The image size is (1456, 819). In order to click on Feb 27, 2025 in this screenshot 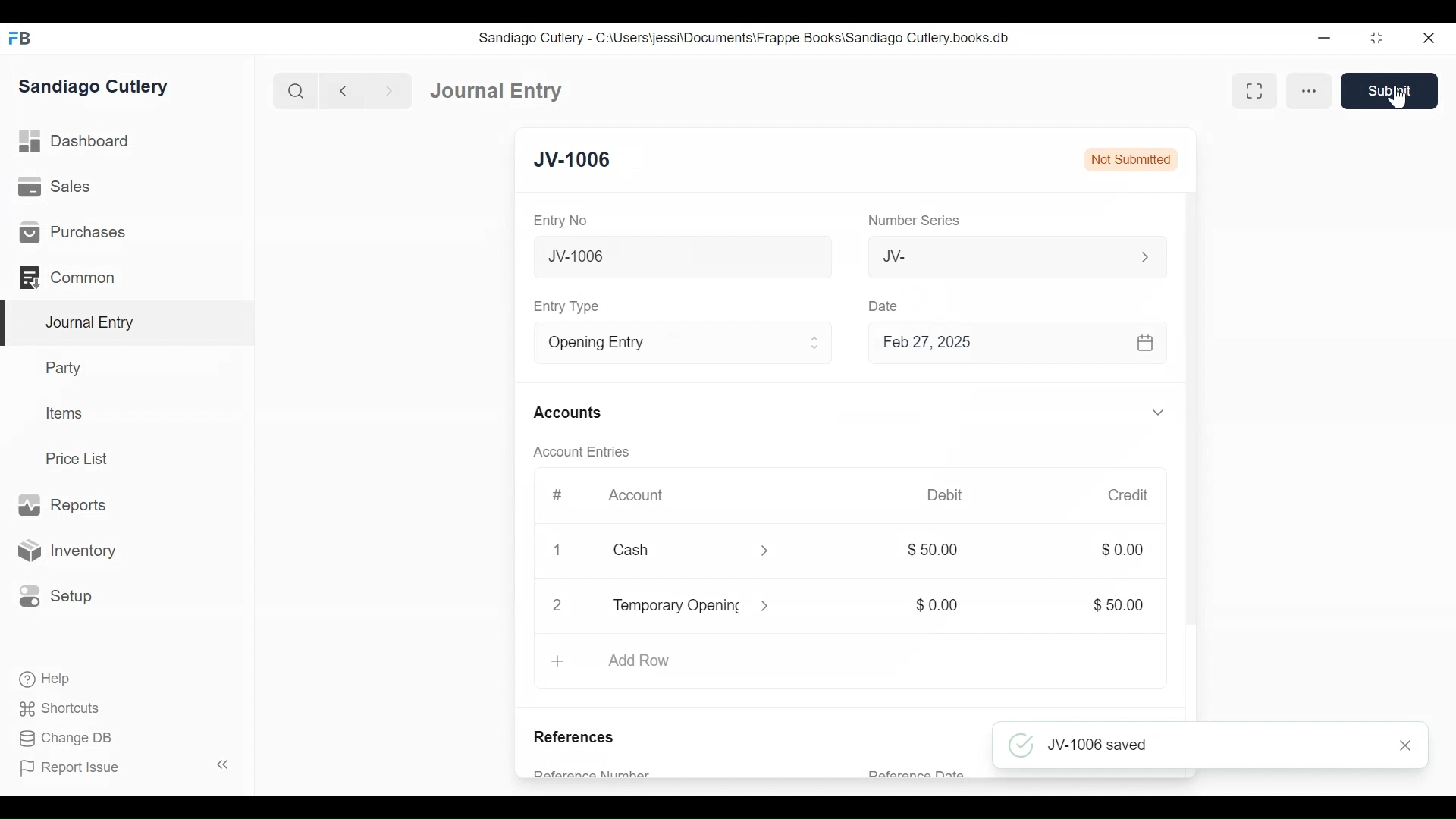, I will do `click(1015, 344)`.